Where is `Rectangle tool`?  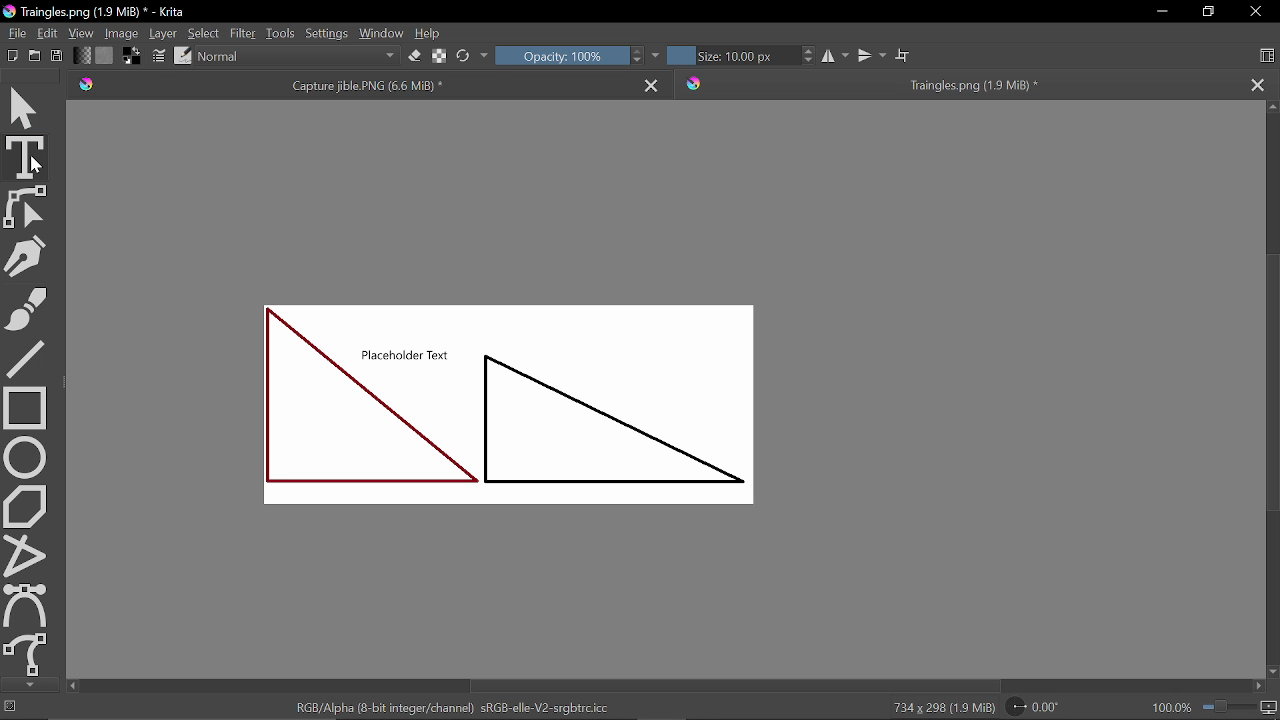 Rectangle tool is located at coordinates (24, 406).